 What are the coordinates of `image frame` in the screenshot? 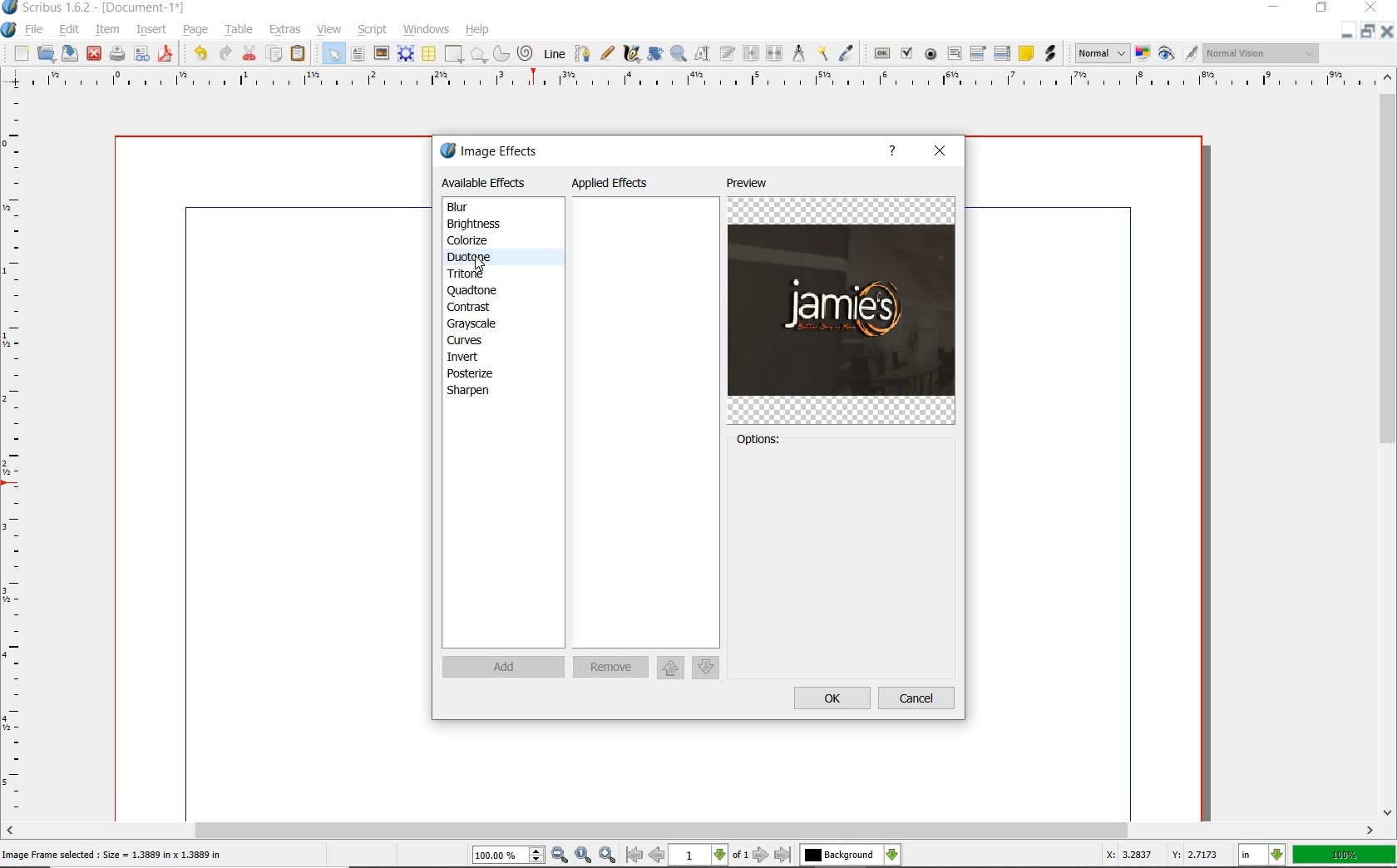 It's located at (381, 53).